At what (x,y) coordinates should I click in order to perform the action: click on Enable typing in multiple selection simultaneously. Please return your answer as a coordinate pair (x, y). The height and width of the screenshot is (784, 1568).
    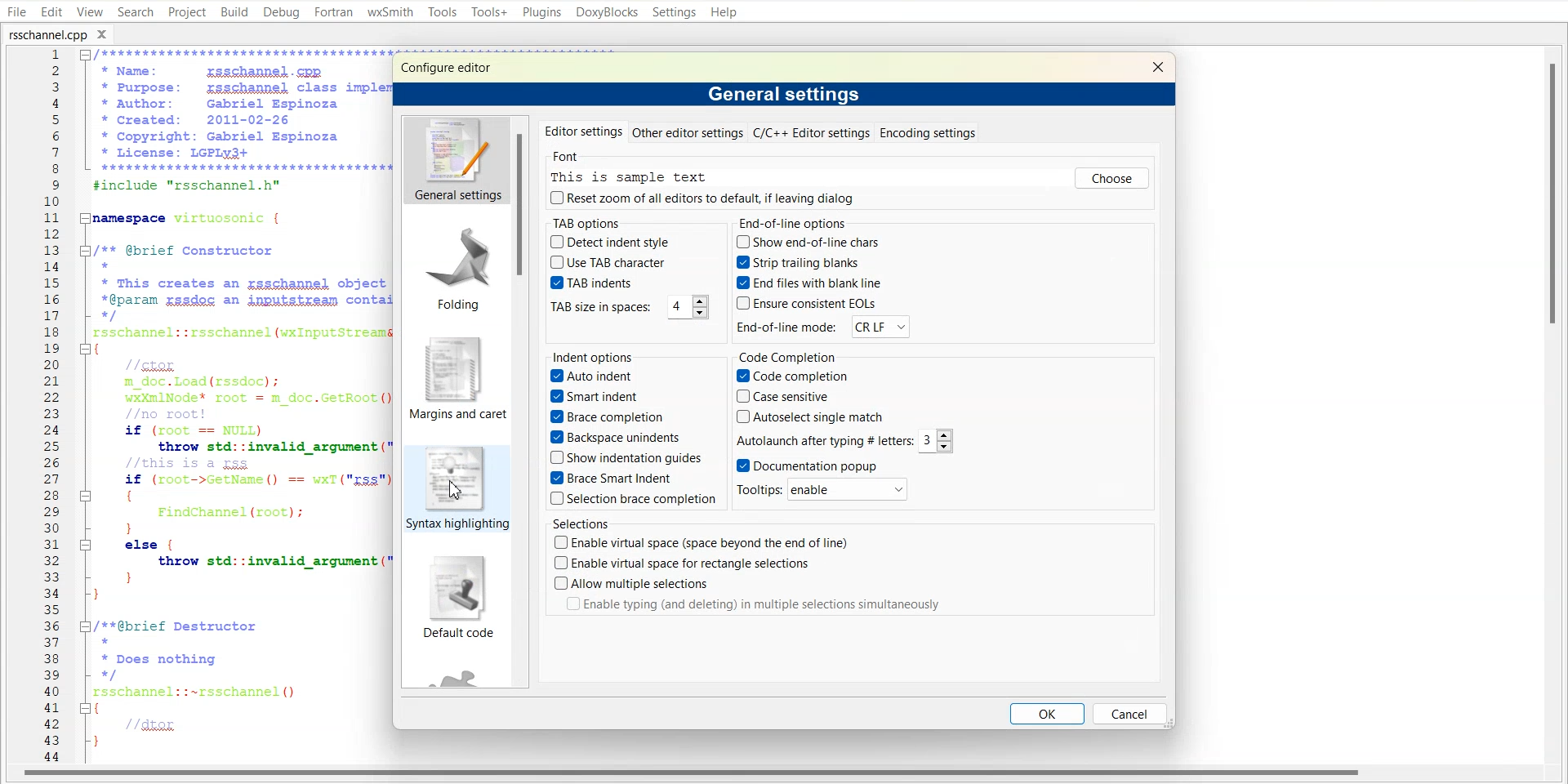
    Looking at the image, I should click on (752, 603).